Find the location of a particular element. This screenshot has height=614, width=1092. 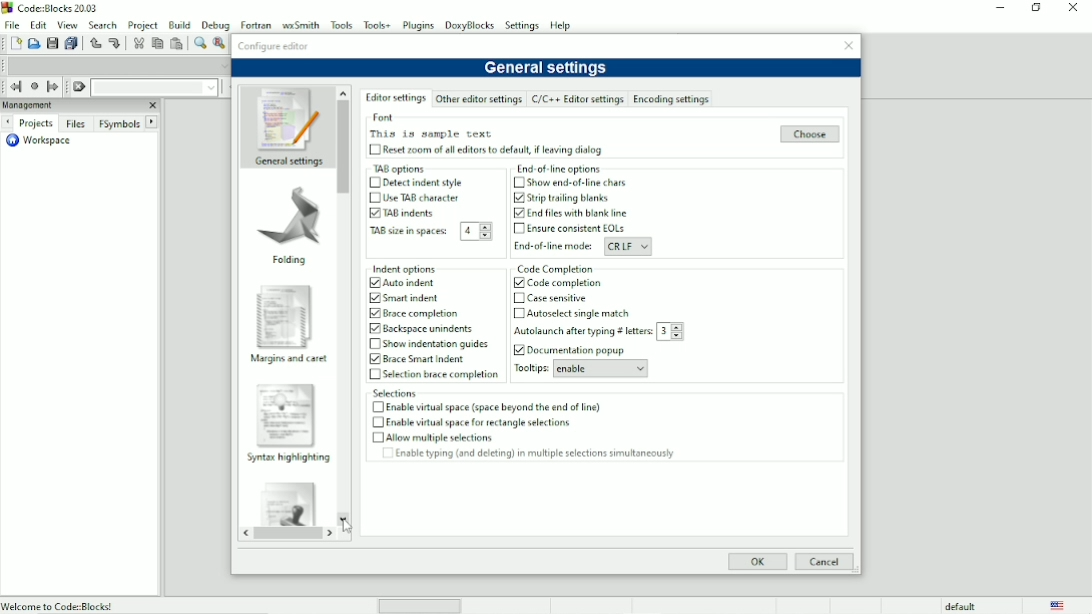

Project is located at coordinates (142, 24).